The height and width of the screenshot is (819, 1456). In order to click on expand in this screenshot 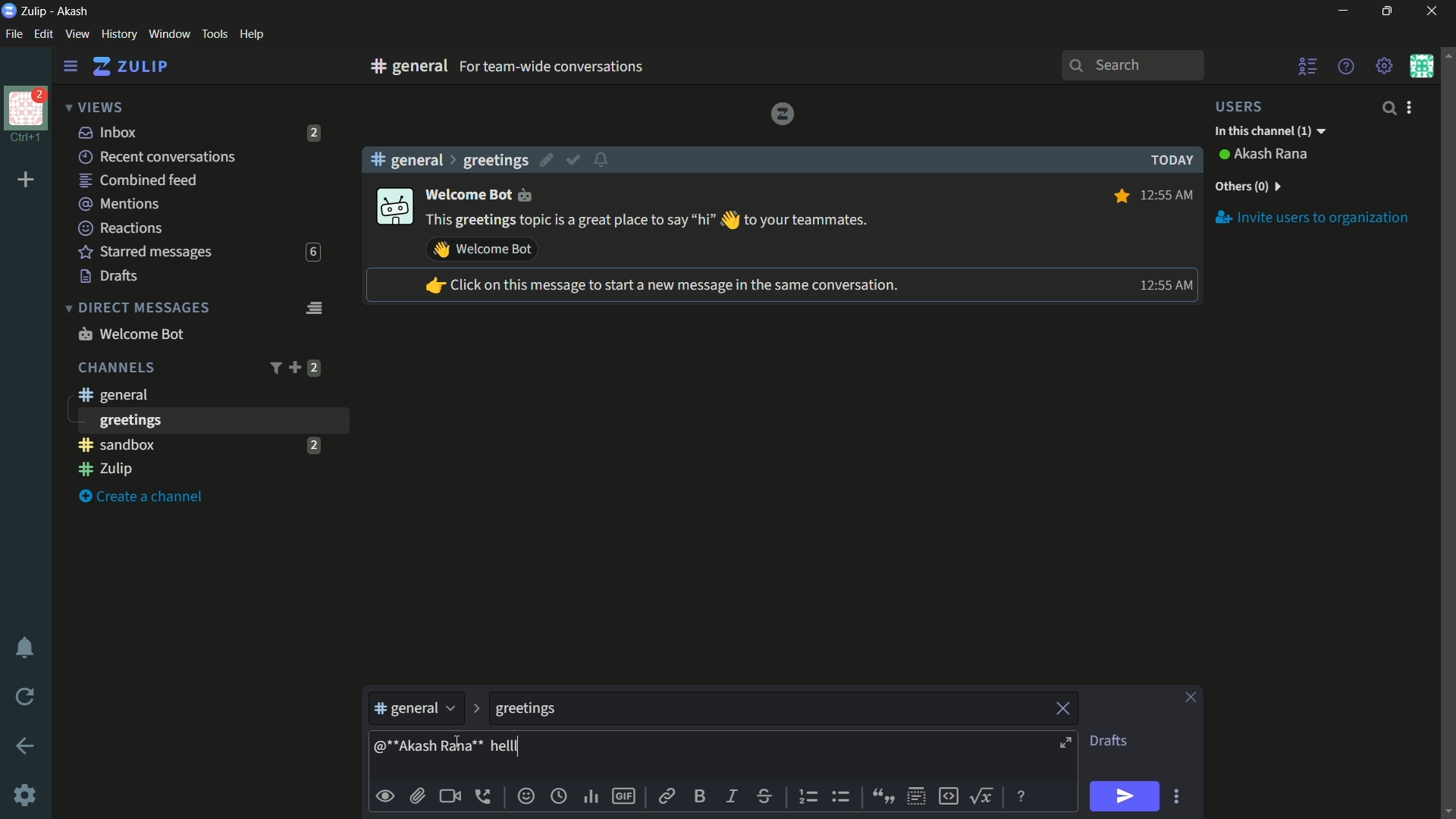, I will do `click(1068, 745)`.